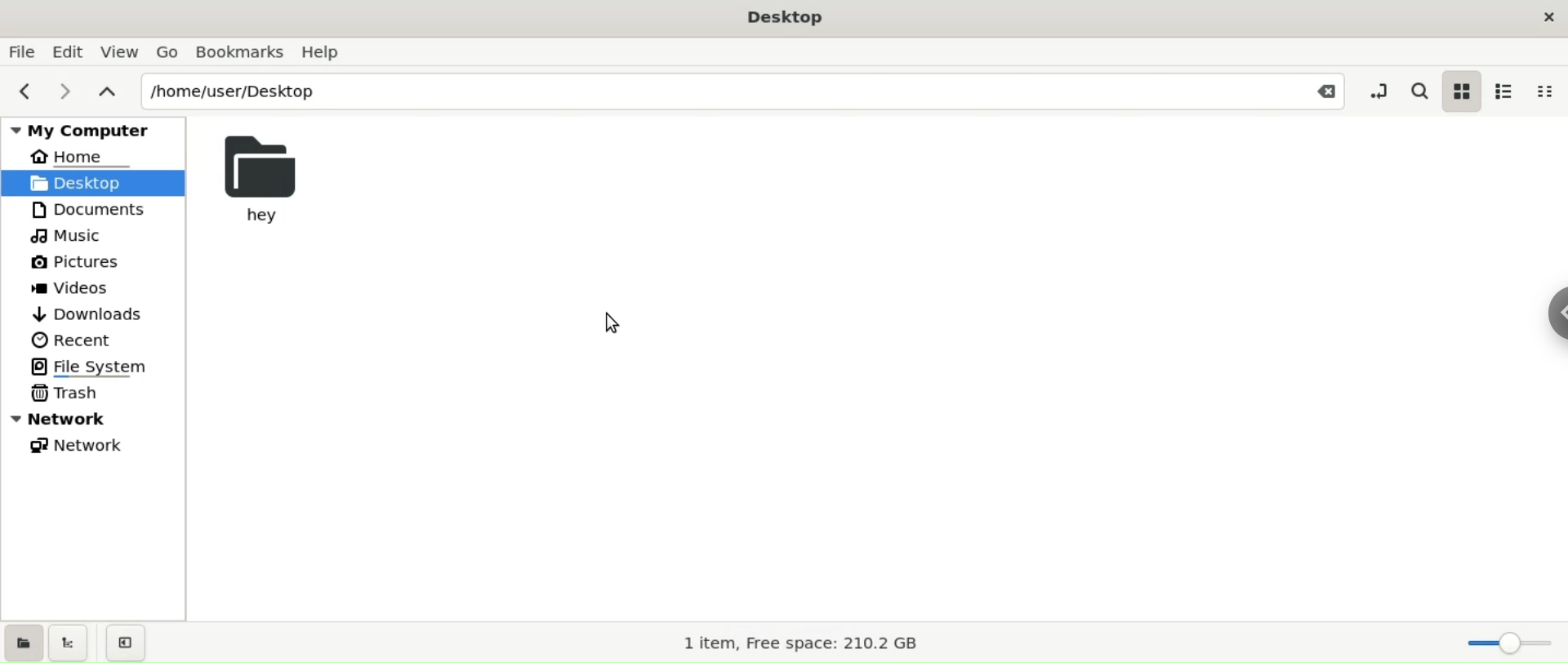 The width and height of the screenshot is (1568, 663). I want to click on help, so click(329, 54).